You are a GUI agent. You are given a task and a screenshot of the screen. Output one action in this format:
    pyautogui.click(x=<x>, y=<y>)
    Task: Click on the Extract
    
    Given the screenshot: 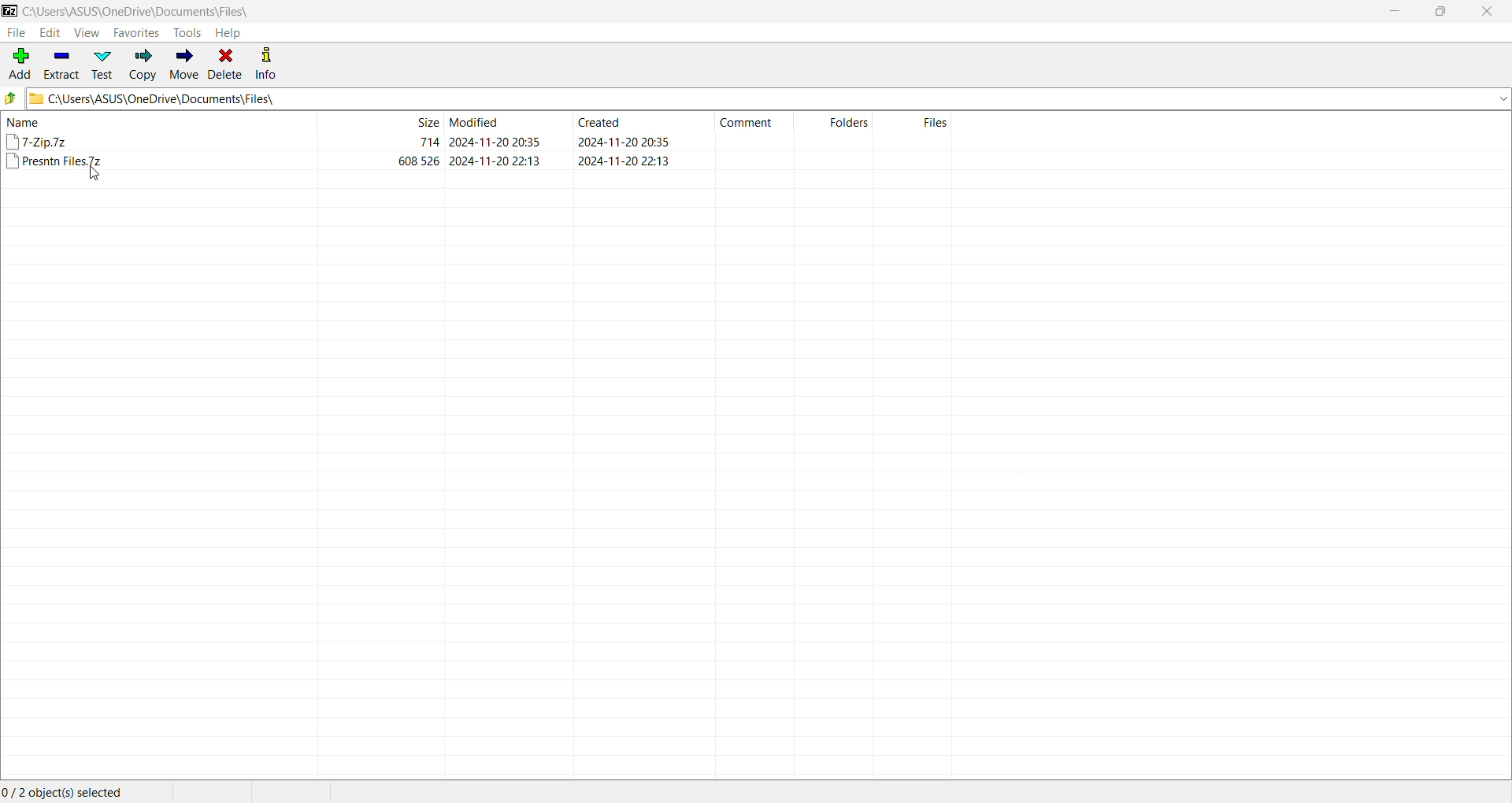 What is the action you would take?
    pyautogui.click(x=63, y=65)
    